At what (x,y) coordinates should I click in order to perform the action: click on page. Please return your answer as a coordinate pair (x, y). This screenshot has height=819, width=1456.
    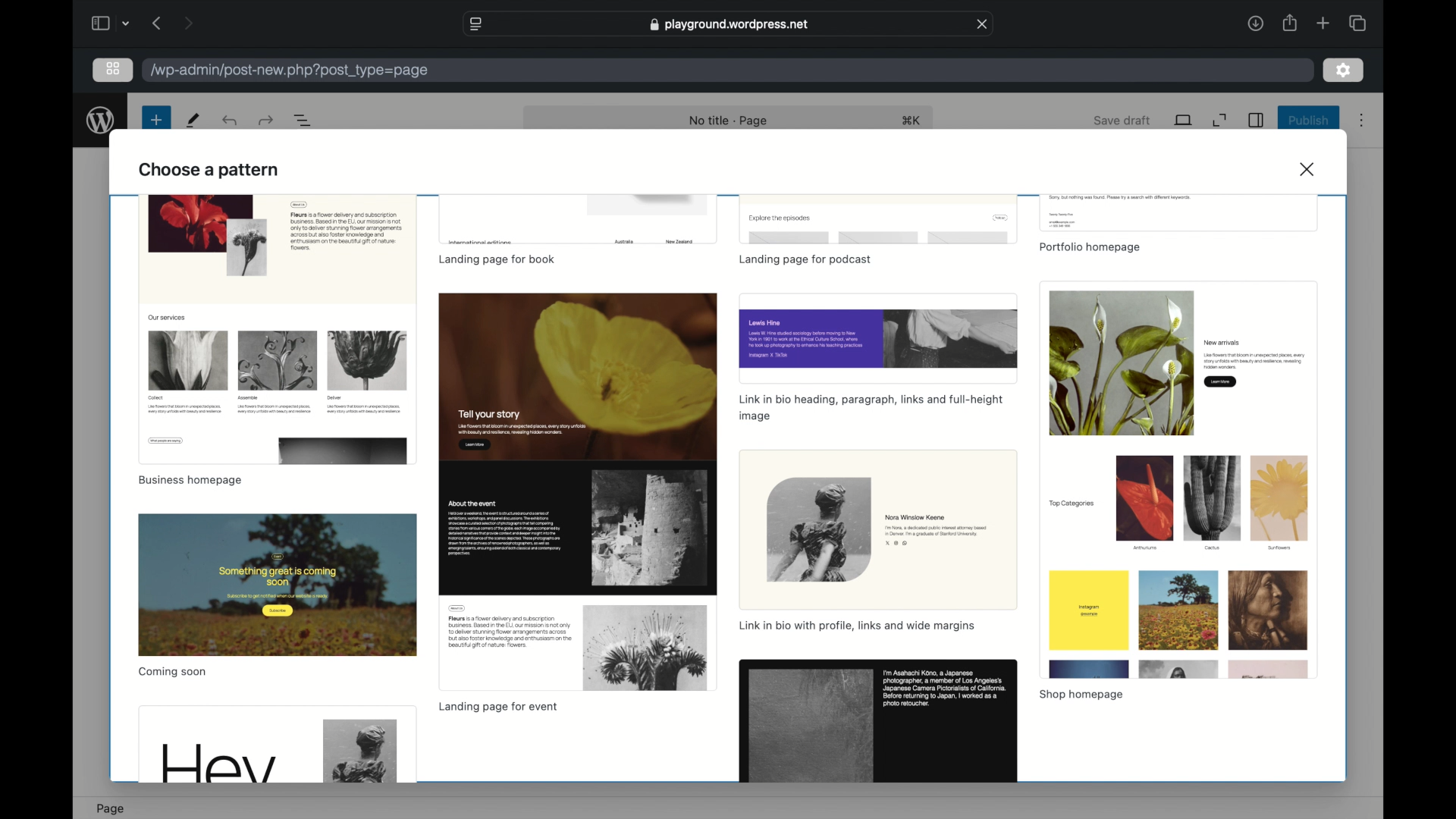
    Looking at the image, I should click on (111, 808).